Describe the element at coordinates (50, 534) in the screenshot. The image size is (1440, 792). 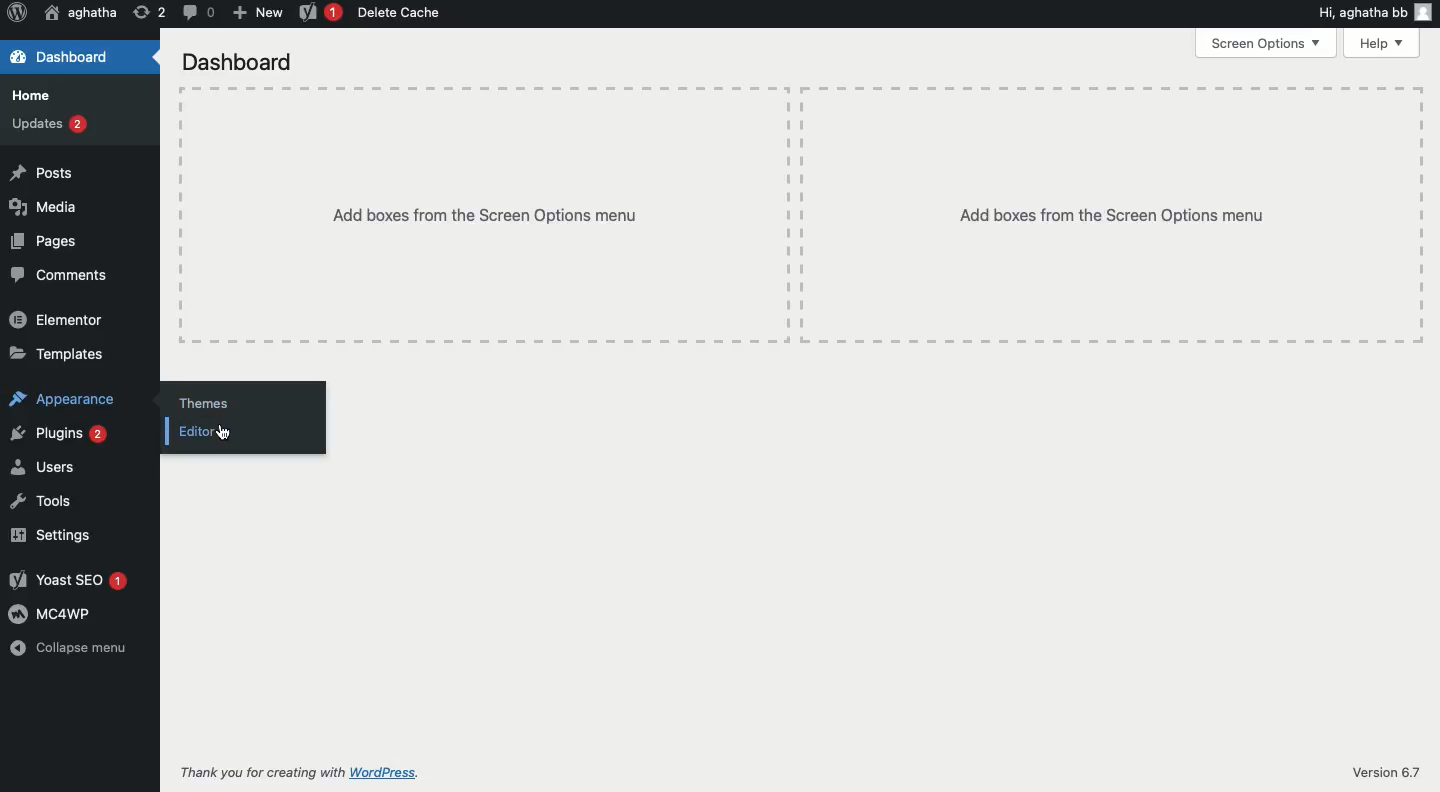
I see `Settings` at that location.